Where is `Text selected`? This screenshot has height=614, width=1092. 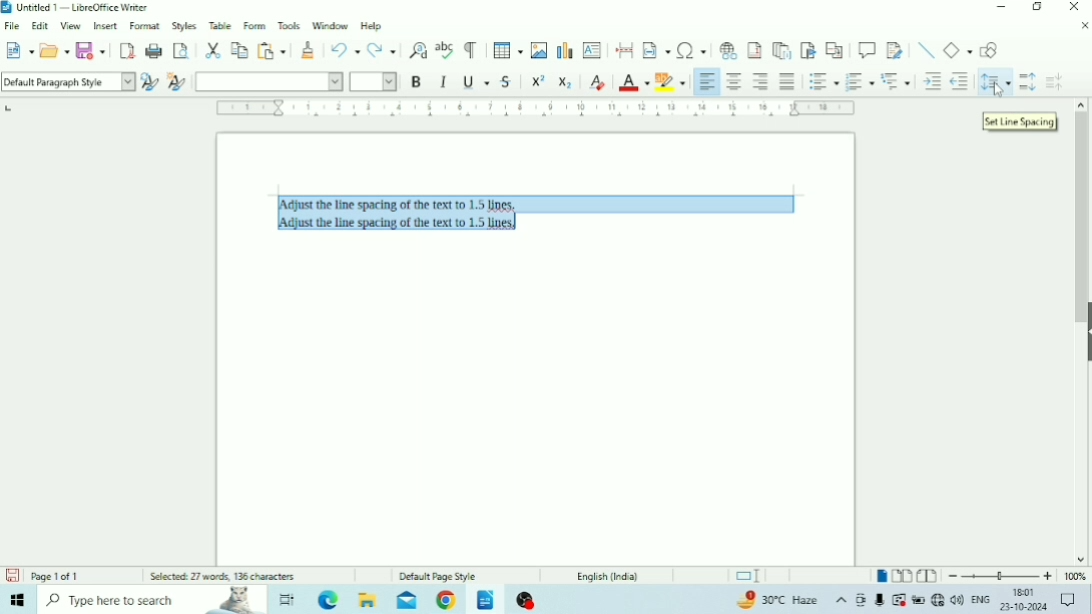
Text selected is located at coordinates (537, 214).